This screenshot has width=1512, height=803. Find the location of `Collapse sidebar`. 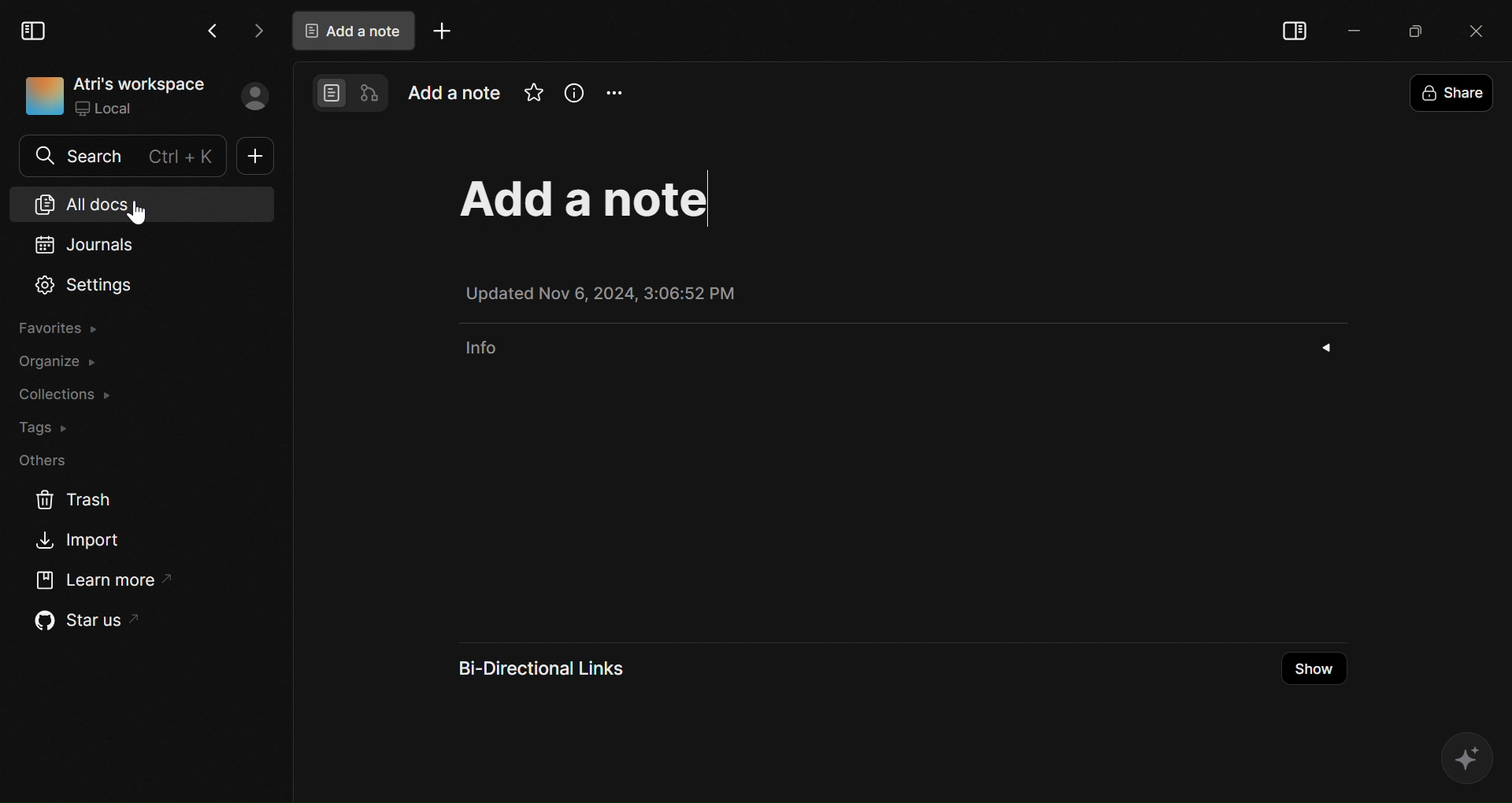

Collapse sidebar is located at coordinates (1295, 32).